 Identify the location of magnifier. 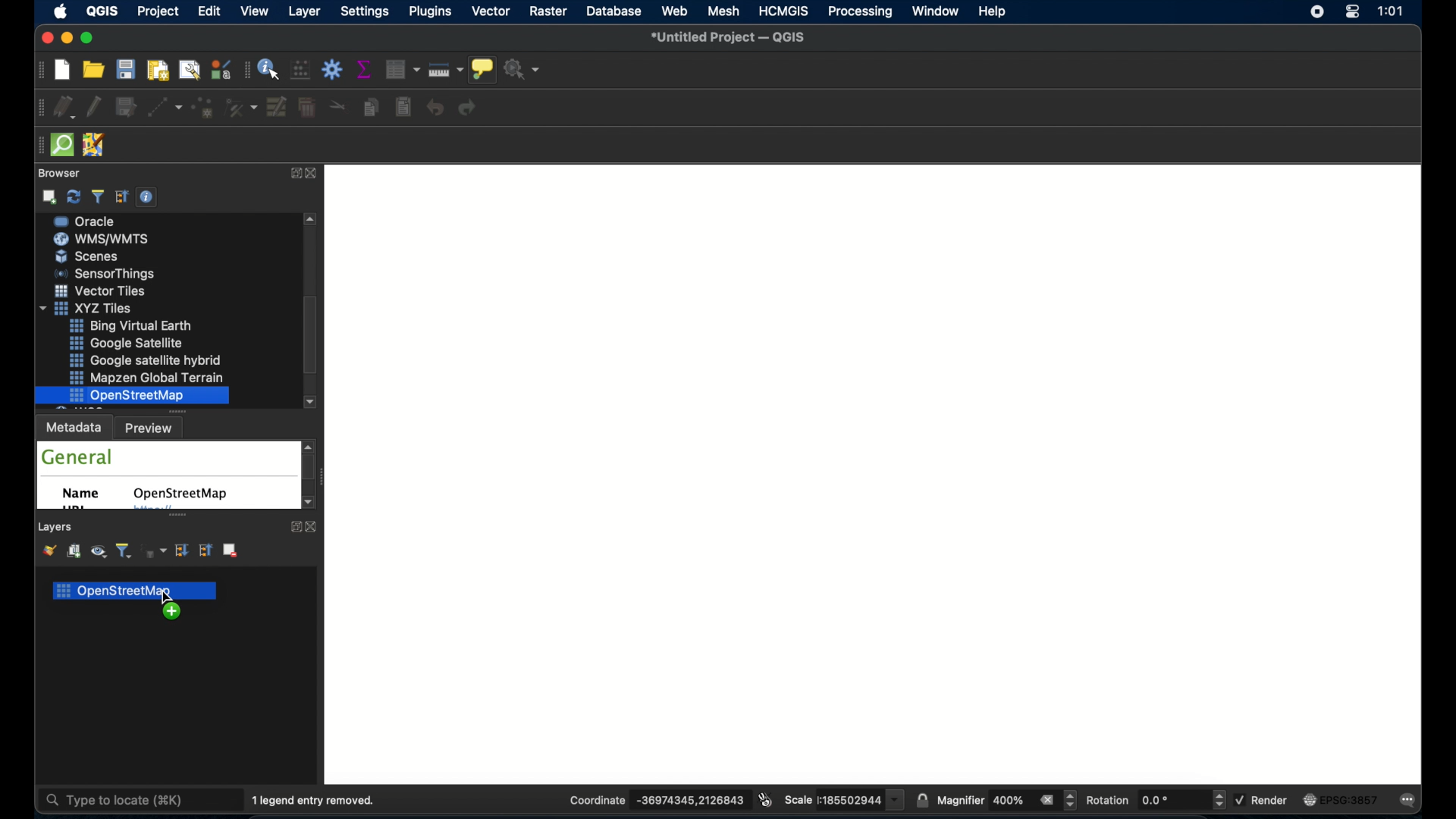
(1006, 800).